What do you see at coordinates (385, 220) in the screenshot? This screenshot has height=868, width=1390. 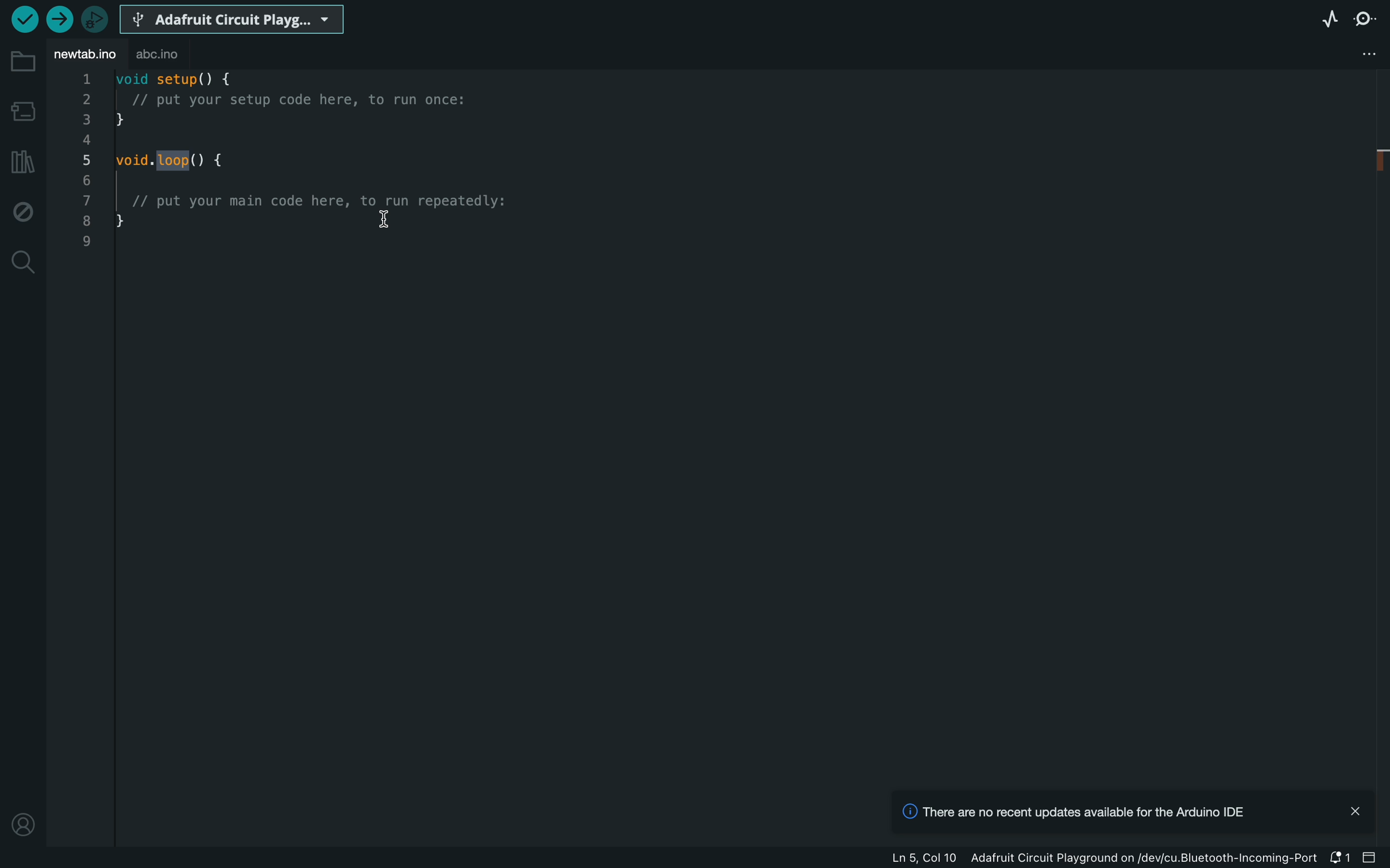 I see `cursor` at bounding box center [385, 220].